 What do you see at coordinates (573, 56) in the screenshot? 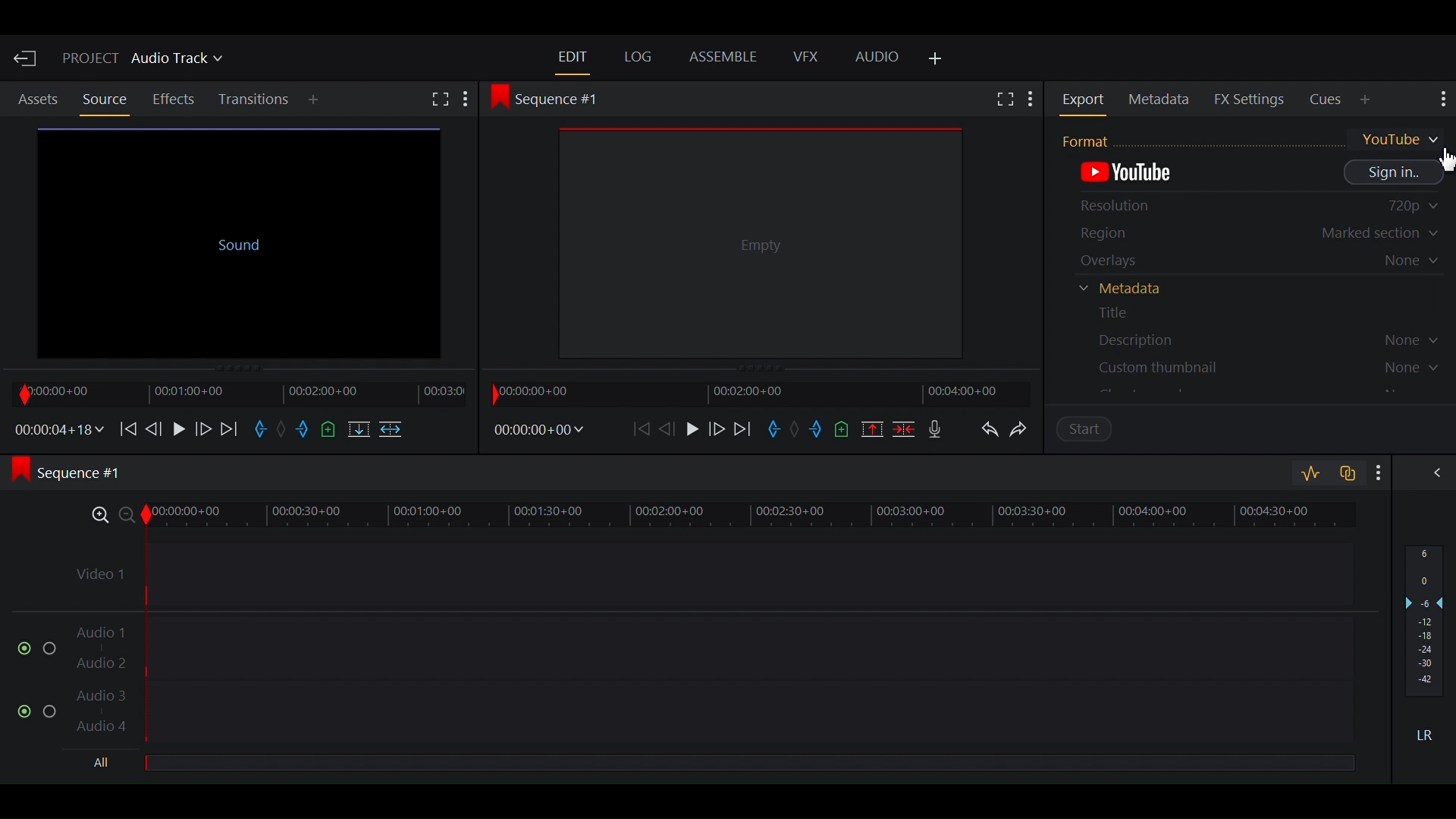
I see `Edit` at bounding box center [573, 56].